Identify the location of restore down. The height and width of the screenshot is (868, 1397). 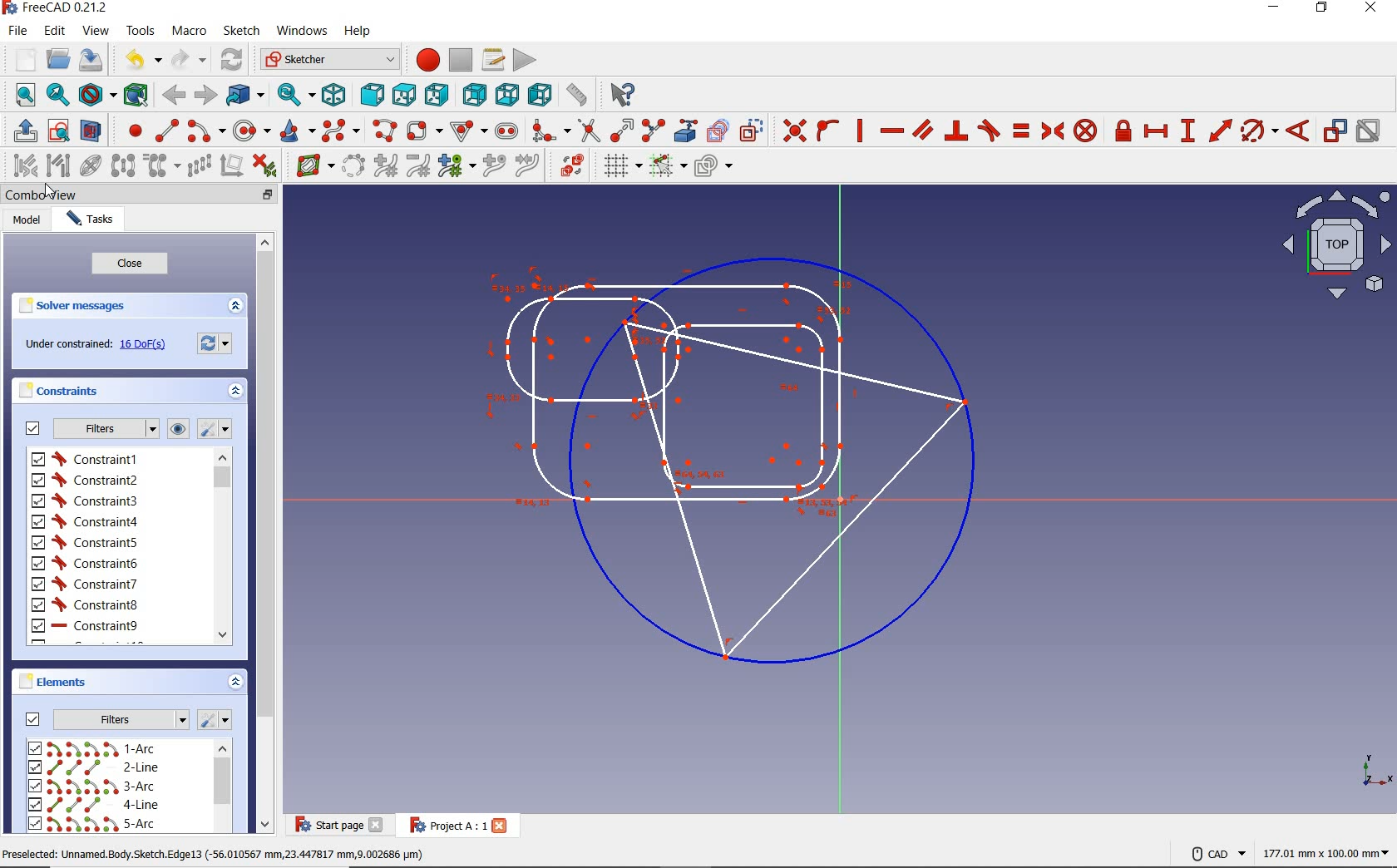
(1322, 8).